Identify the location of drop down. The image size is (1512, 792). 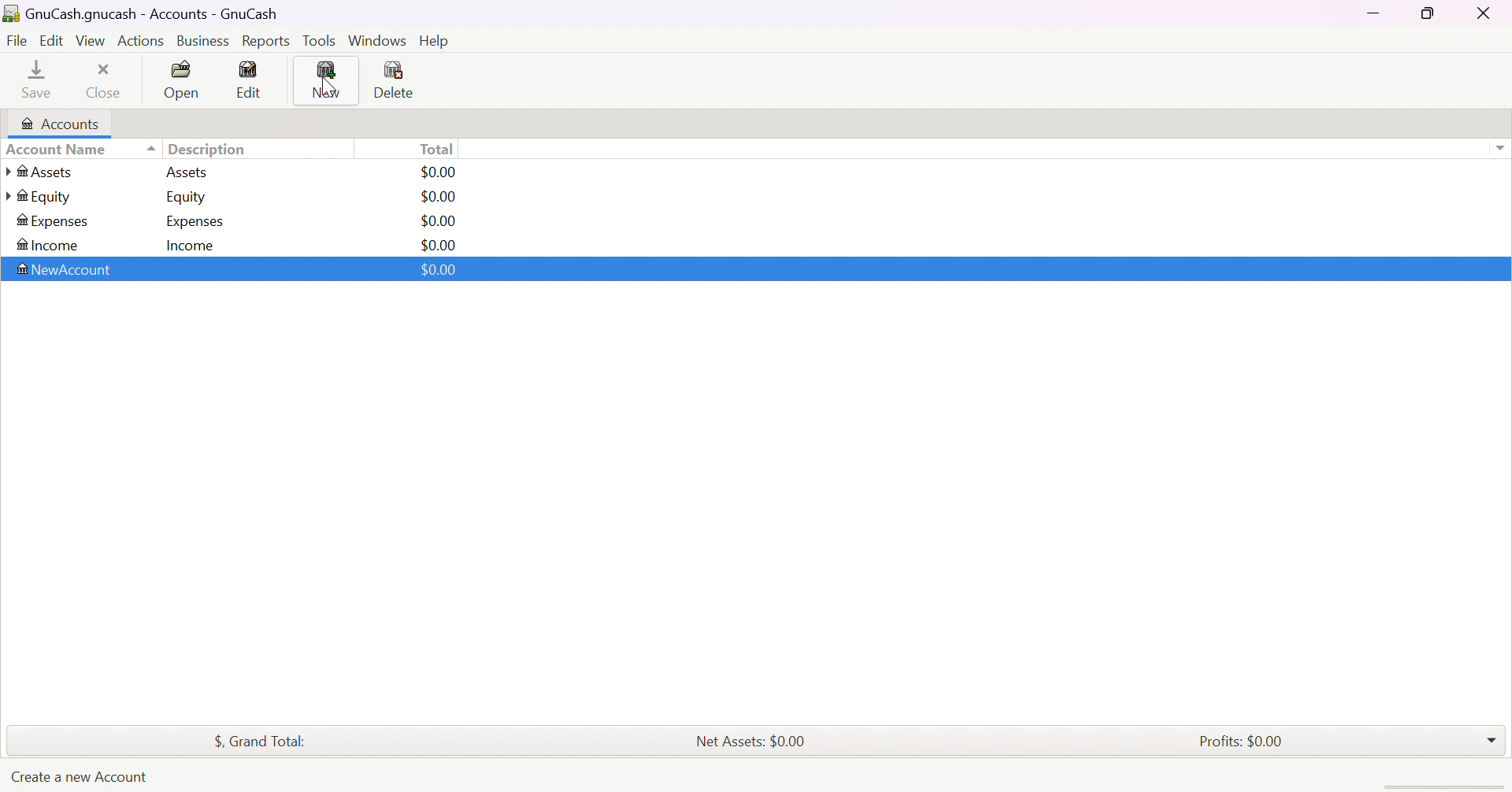
(1503, 150).